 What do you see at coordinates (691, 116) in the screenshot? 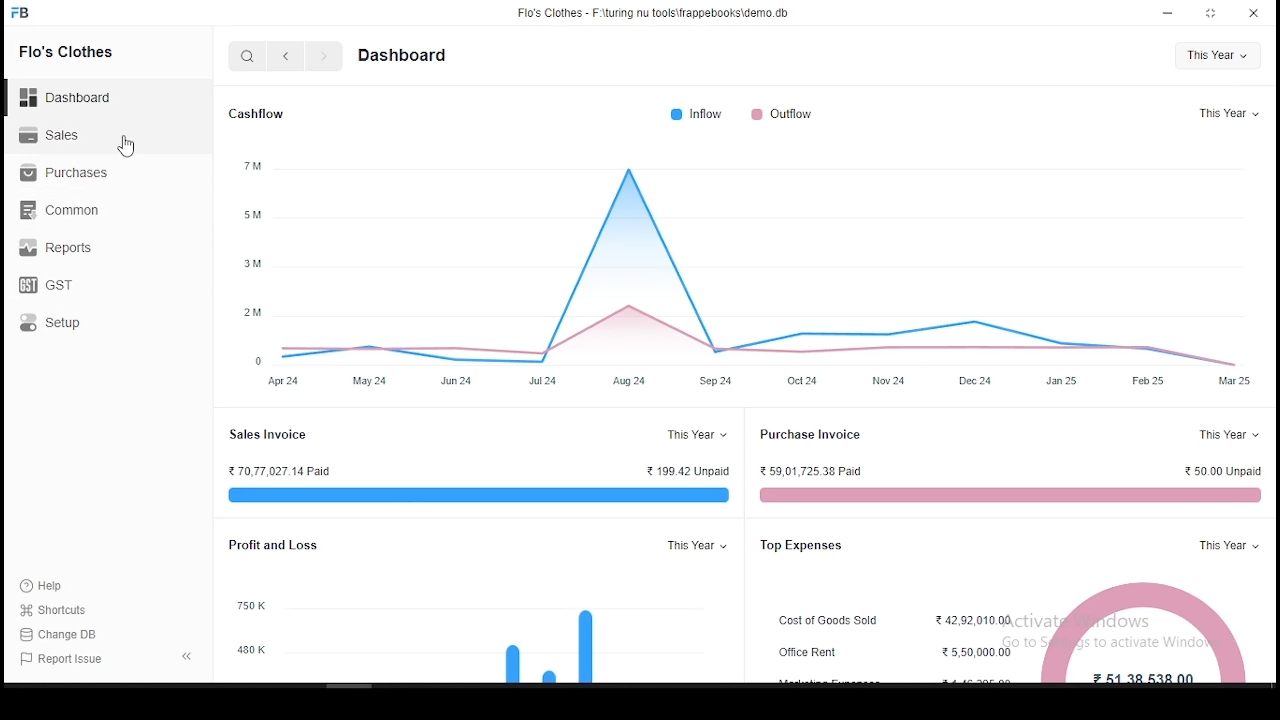
I see `inflow` at bounding box center [691, 116].